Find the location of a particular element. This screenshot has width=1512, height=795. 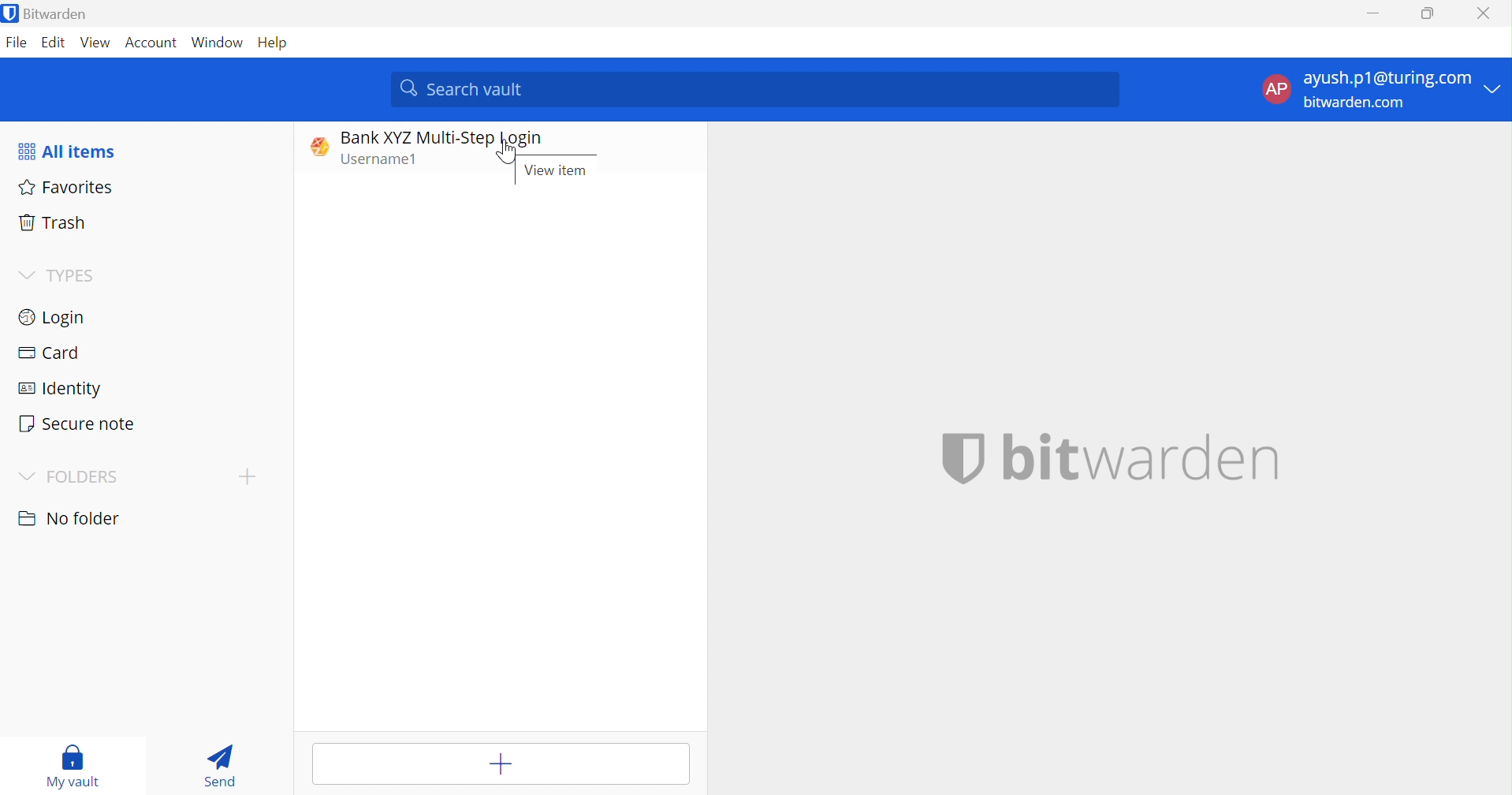

Search vault is located at coordinates (758, 88).